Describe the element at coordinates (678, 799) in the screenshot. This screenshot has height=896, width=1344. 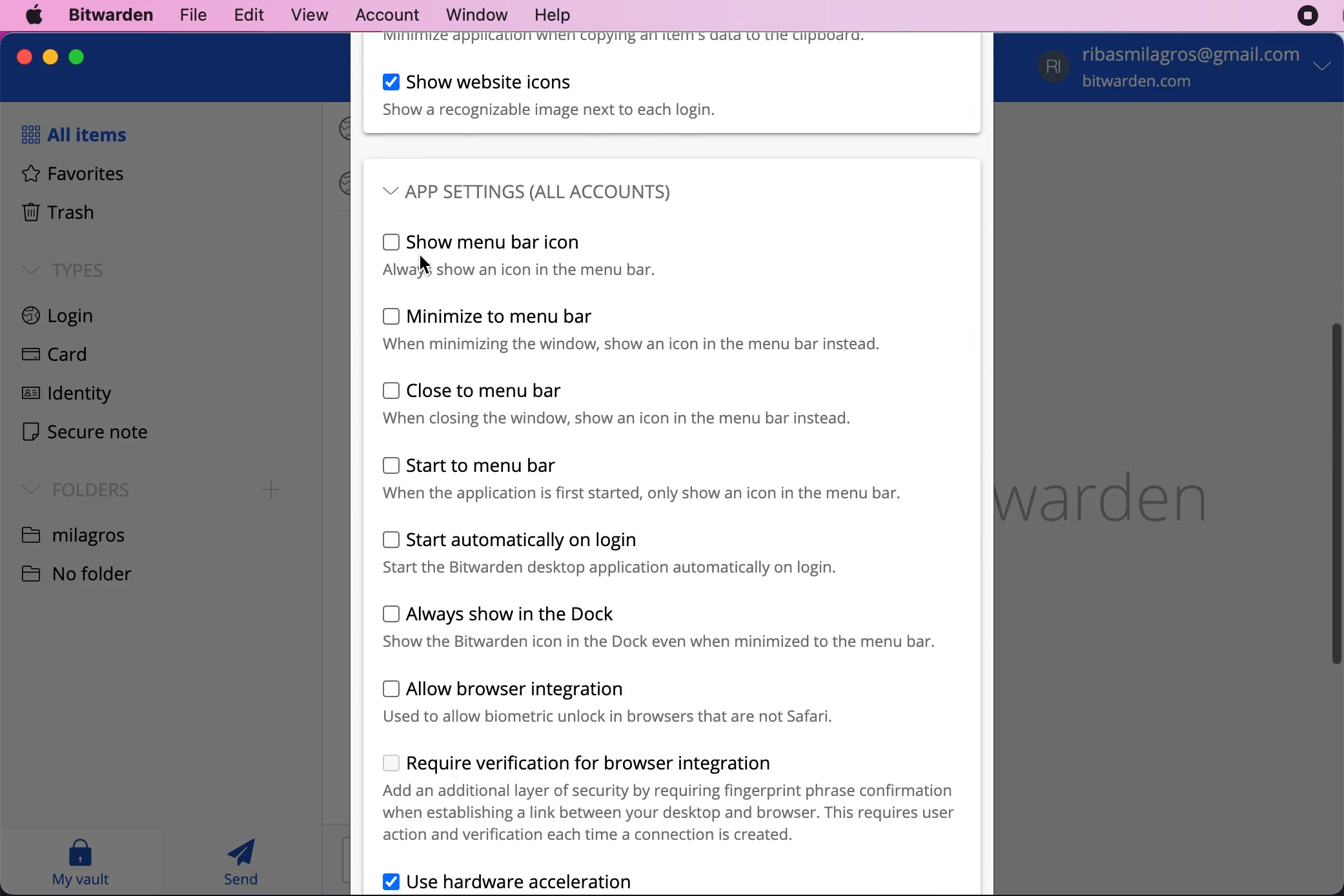
I see `require verification for browser integration` at that location.